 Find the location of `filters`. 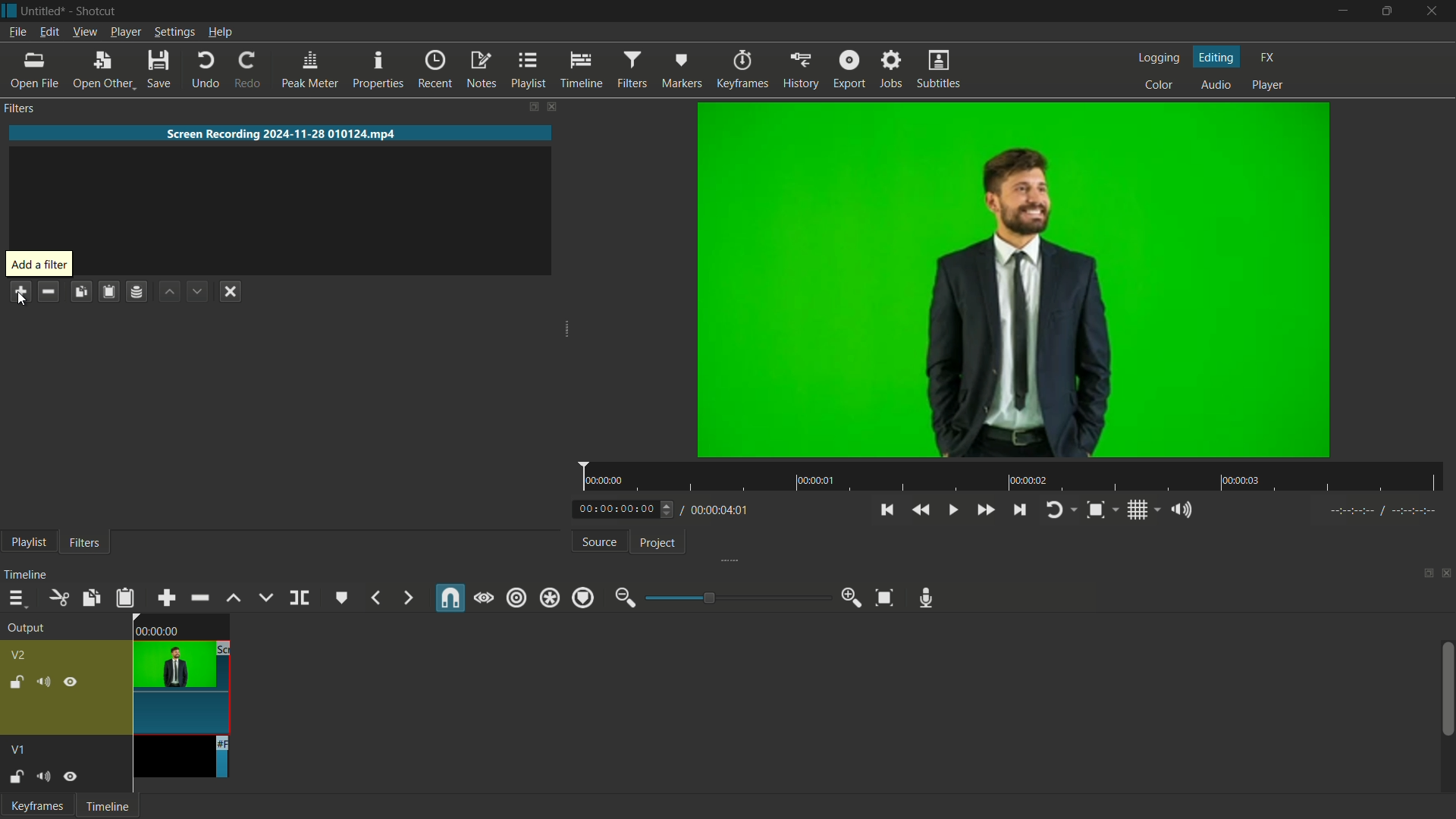

filters is located at coordinates (22, 111).